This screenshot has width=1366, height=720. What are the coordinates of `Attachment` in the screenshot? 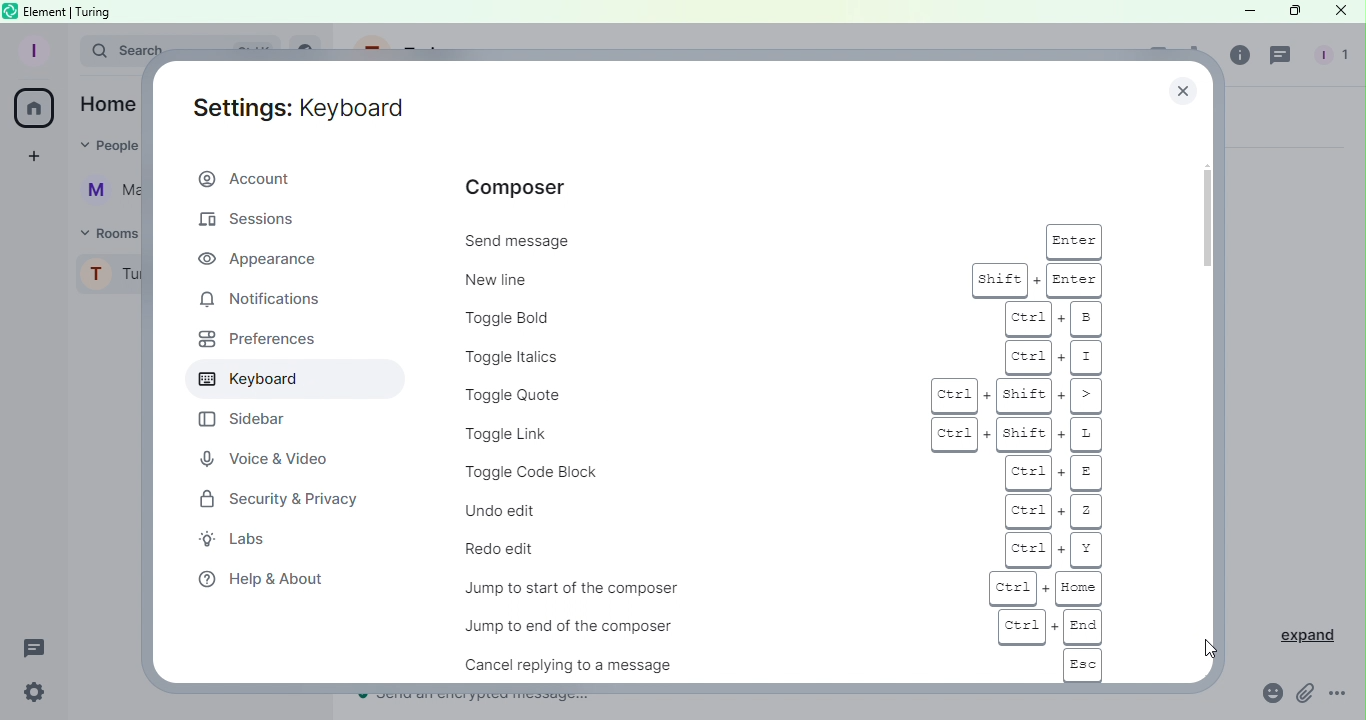 It's located at (1305, 697).